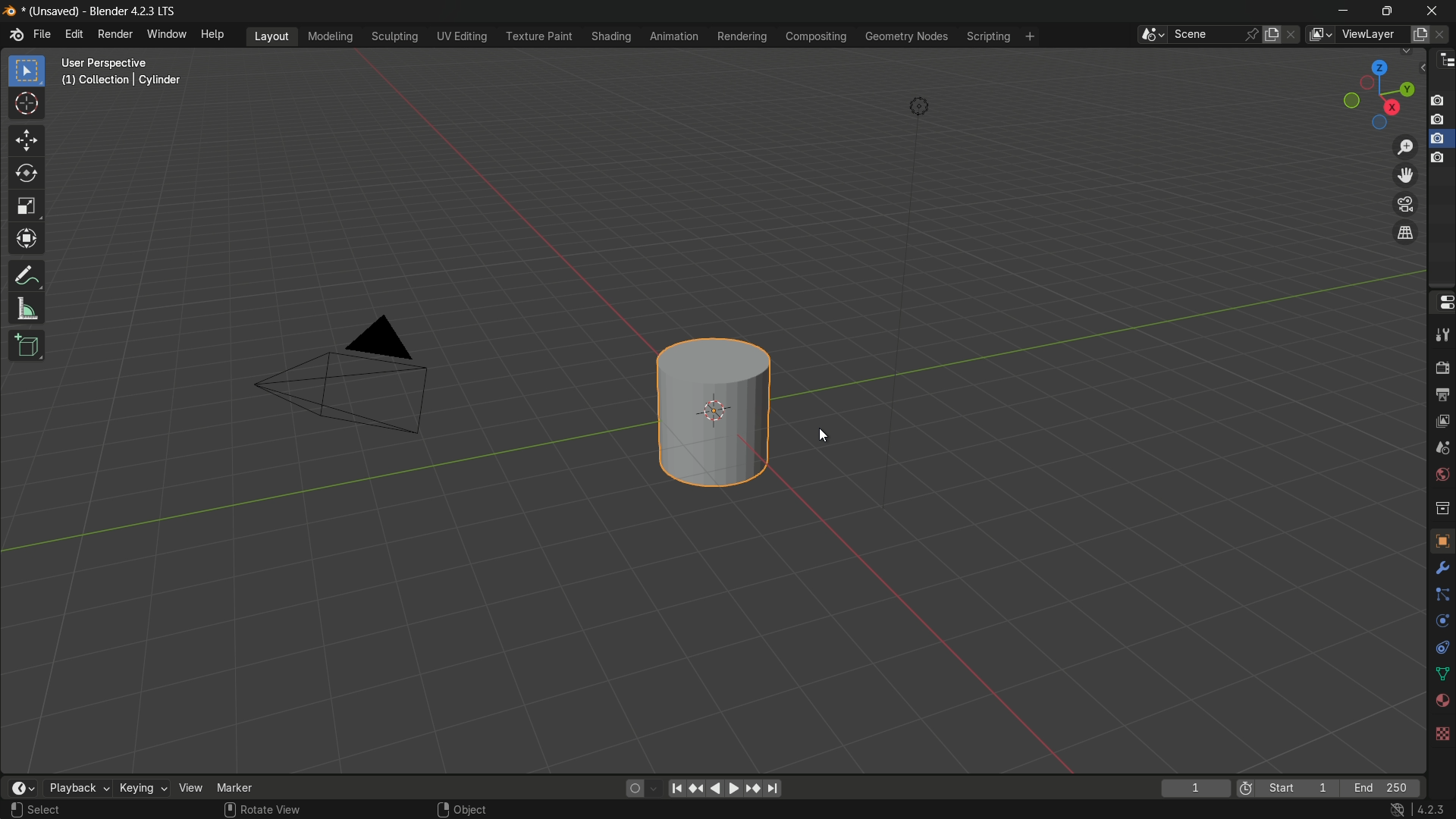  What do you see at coordinates (1439, 138) in the screenshot?
I see `layer 3` at bounding box center [1439, 138].